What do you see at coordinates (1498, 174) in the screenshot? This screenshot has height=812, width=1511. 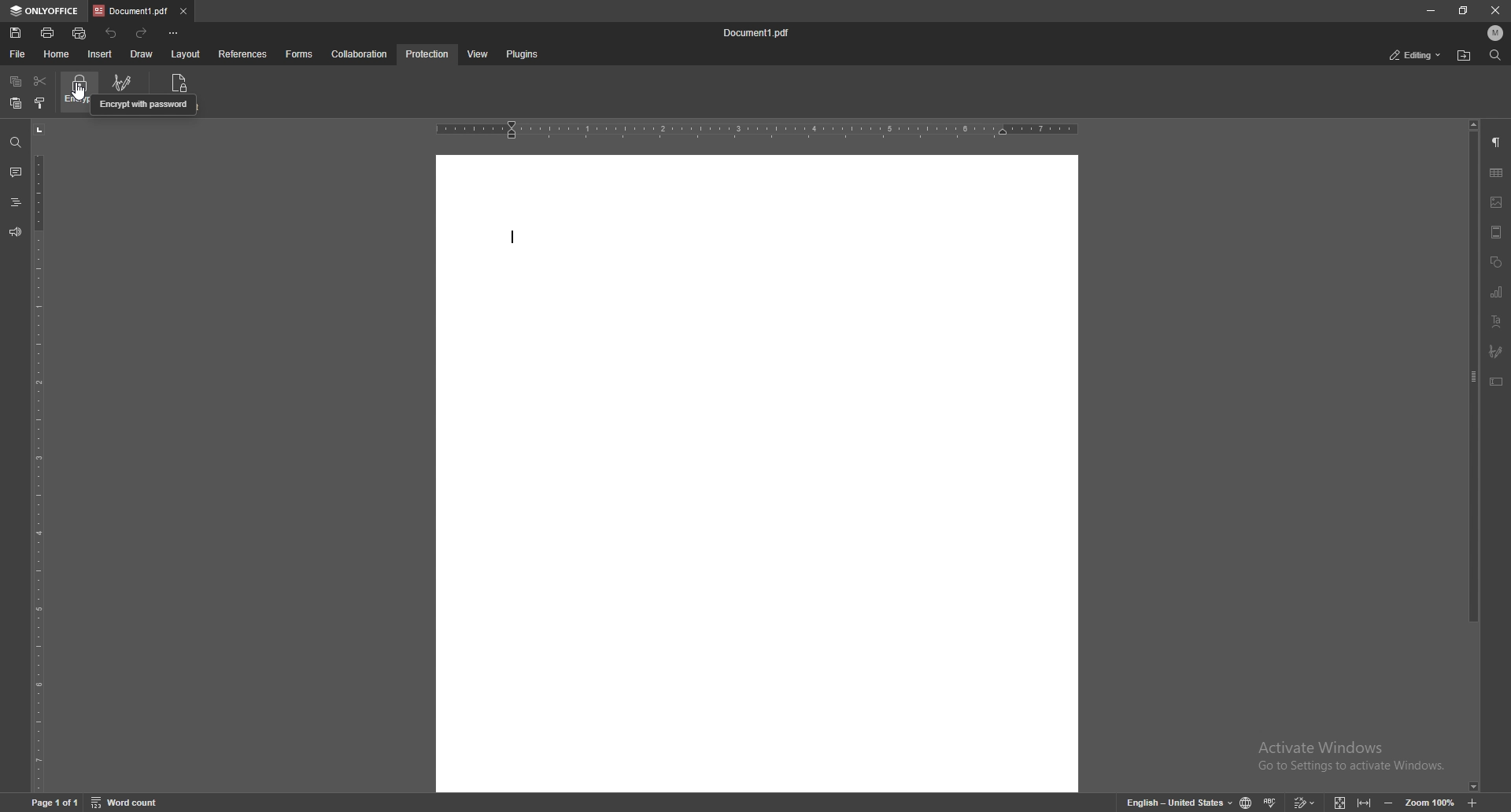 I see `table` at bounding box center [1498, 174].